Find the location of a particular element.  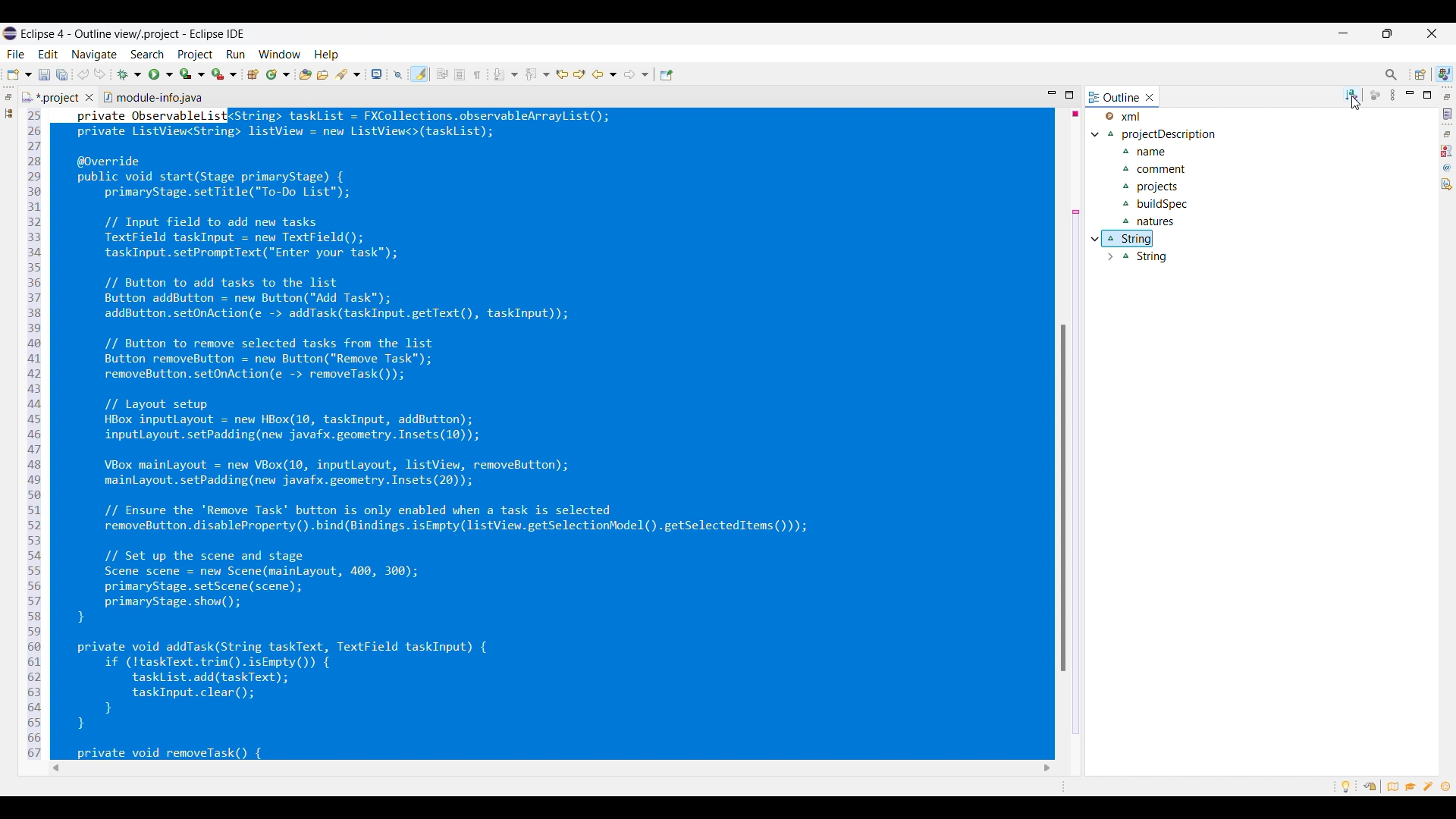

Search options is located at coordinates (348, 74).